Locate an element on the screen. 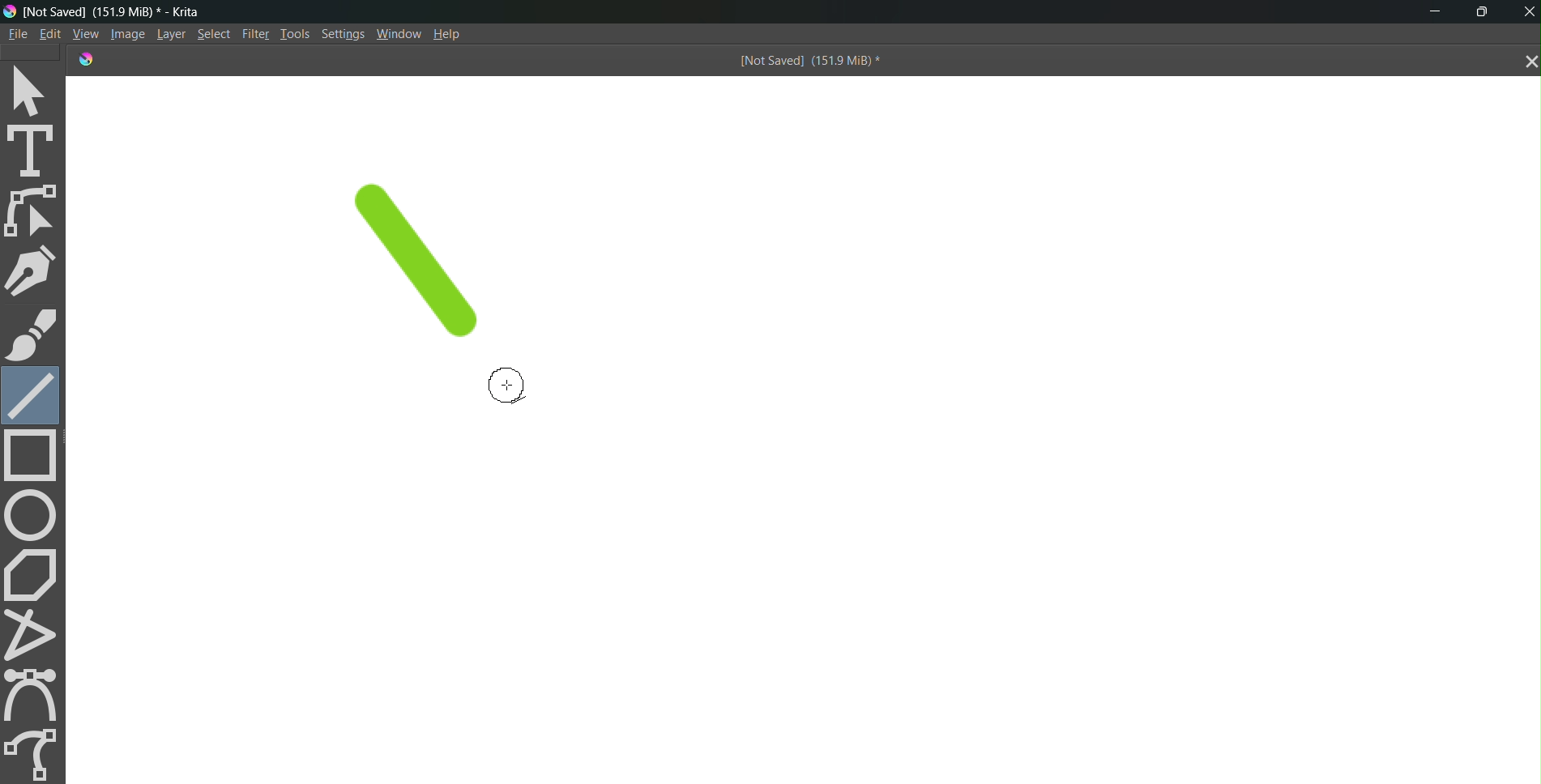 This screenshot has width=1541, height=784. Tools is located at coordinates (293, 32).